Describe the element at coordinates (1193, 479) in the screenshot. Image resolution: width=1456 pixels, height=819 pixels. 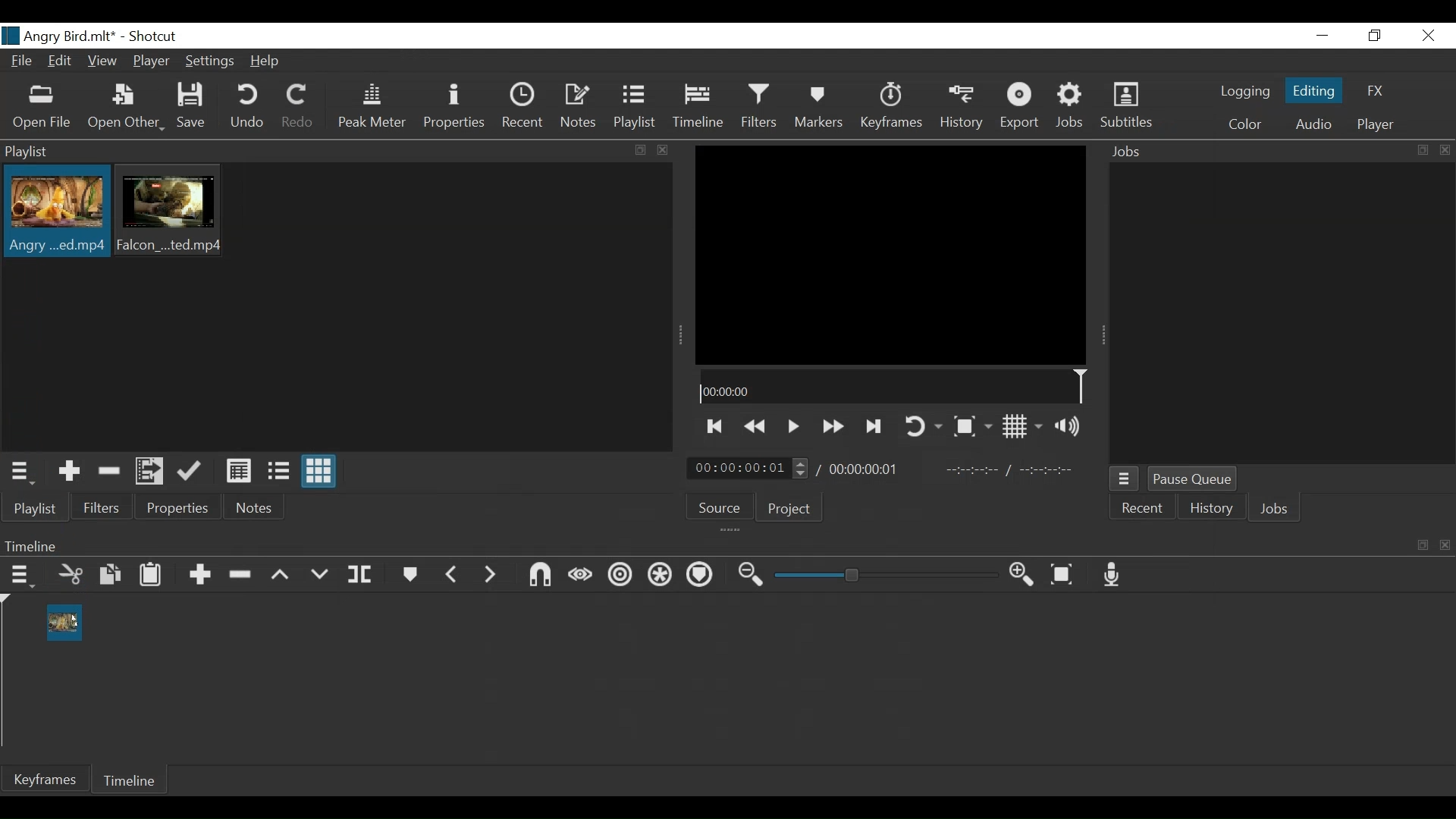
I see `Pause Queue` at that location.